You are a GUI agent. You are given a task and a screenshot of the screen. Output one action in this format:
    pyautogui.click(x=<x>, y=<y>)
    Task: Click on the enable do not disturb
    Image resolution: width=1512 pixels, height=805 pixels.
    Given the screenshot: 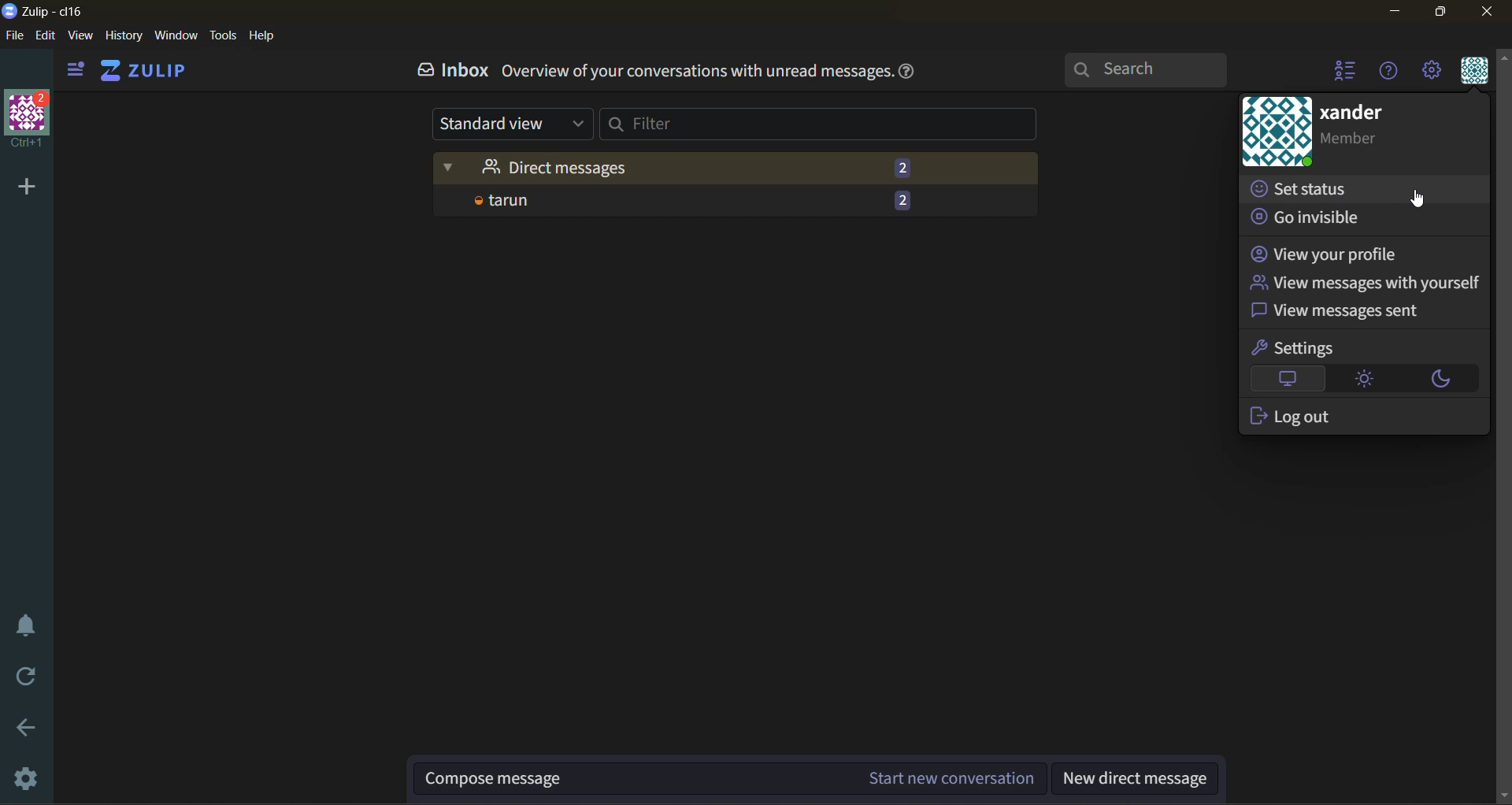 What is the action you would take?
    pyautogui.click(x=24, y=632)
    